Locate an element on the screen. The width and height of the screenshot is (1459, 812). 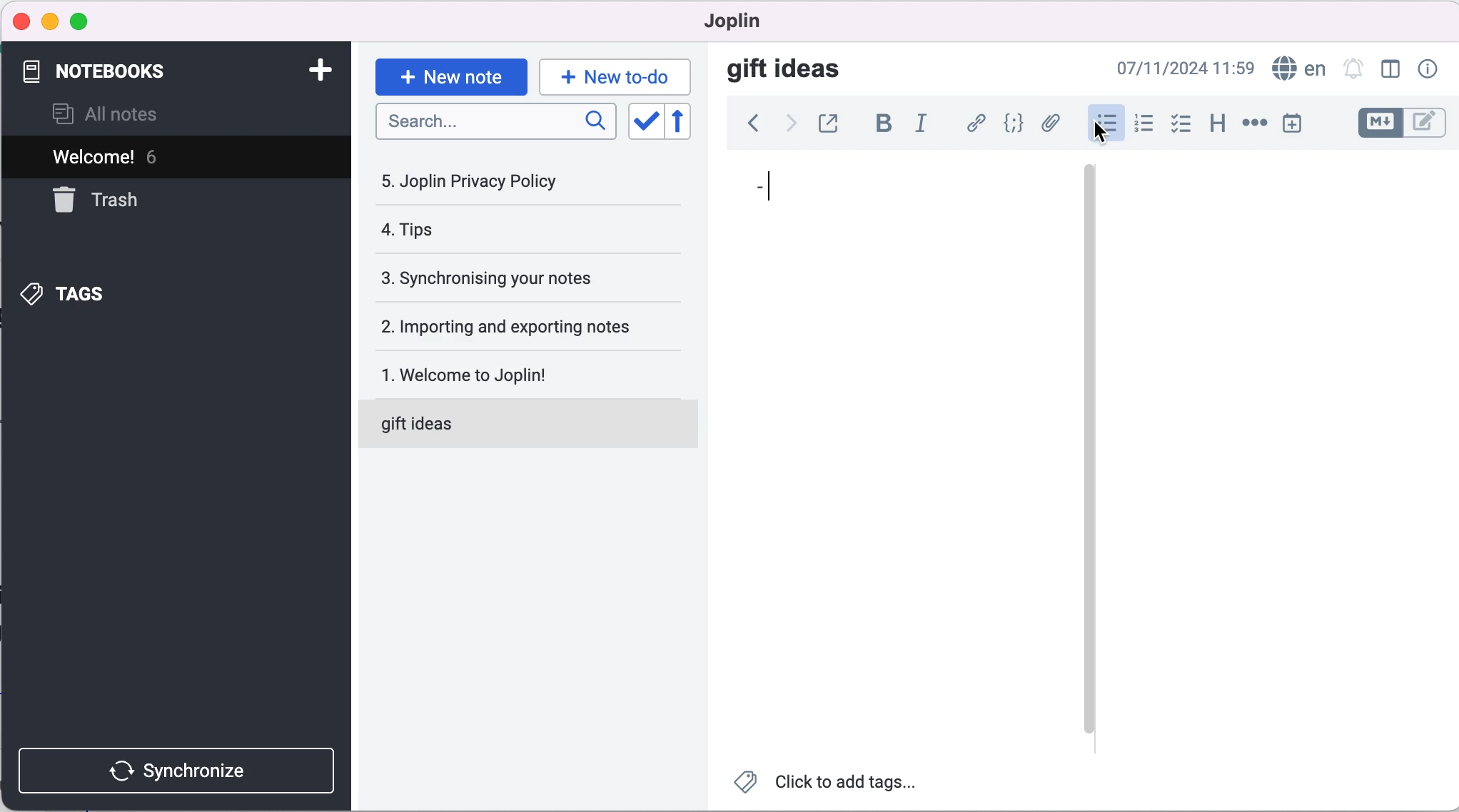
all notes is located at coordinates (124, 113).